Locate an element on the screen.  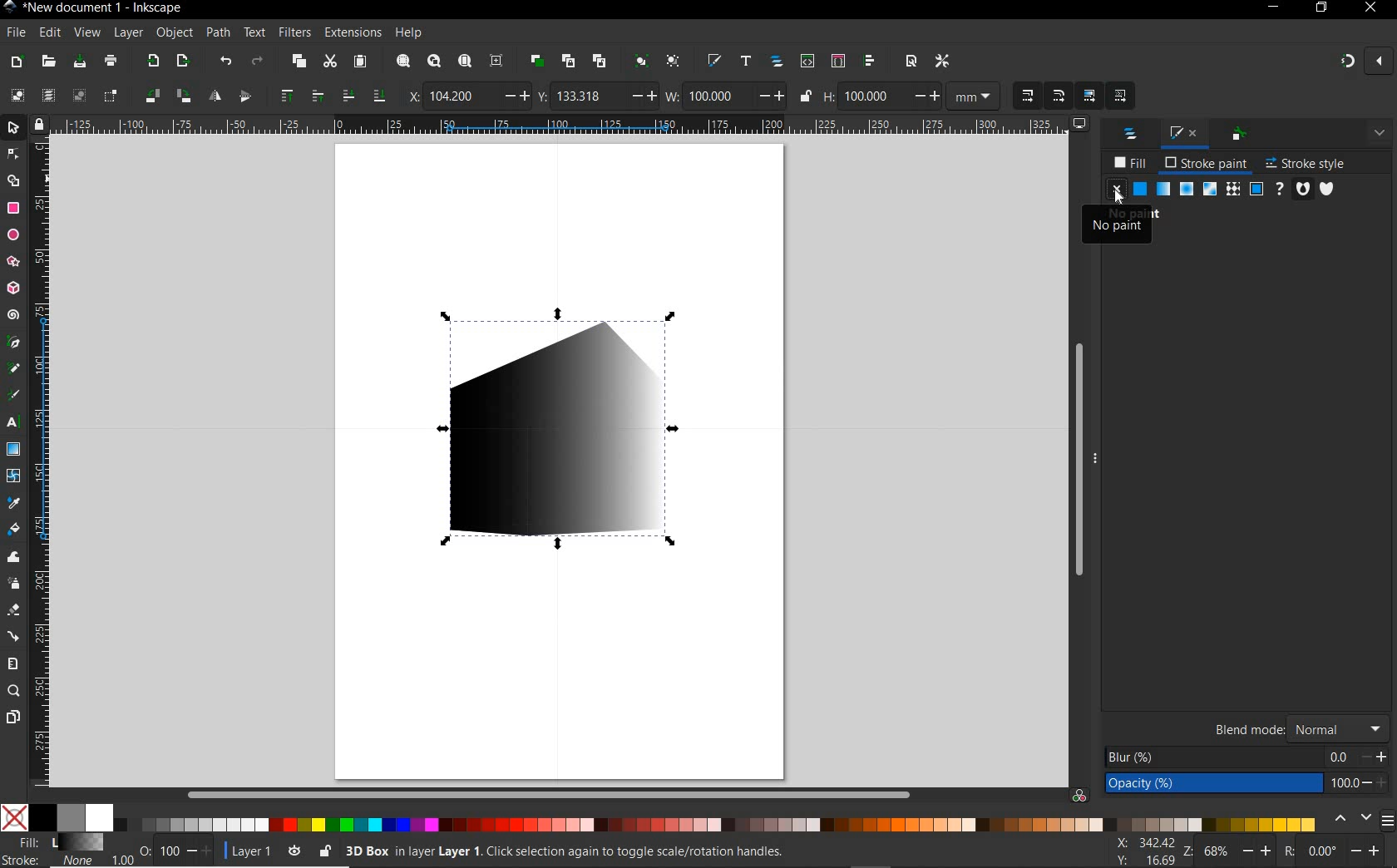
3D BOX TOOL is located at coordinates (12, 287).